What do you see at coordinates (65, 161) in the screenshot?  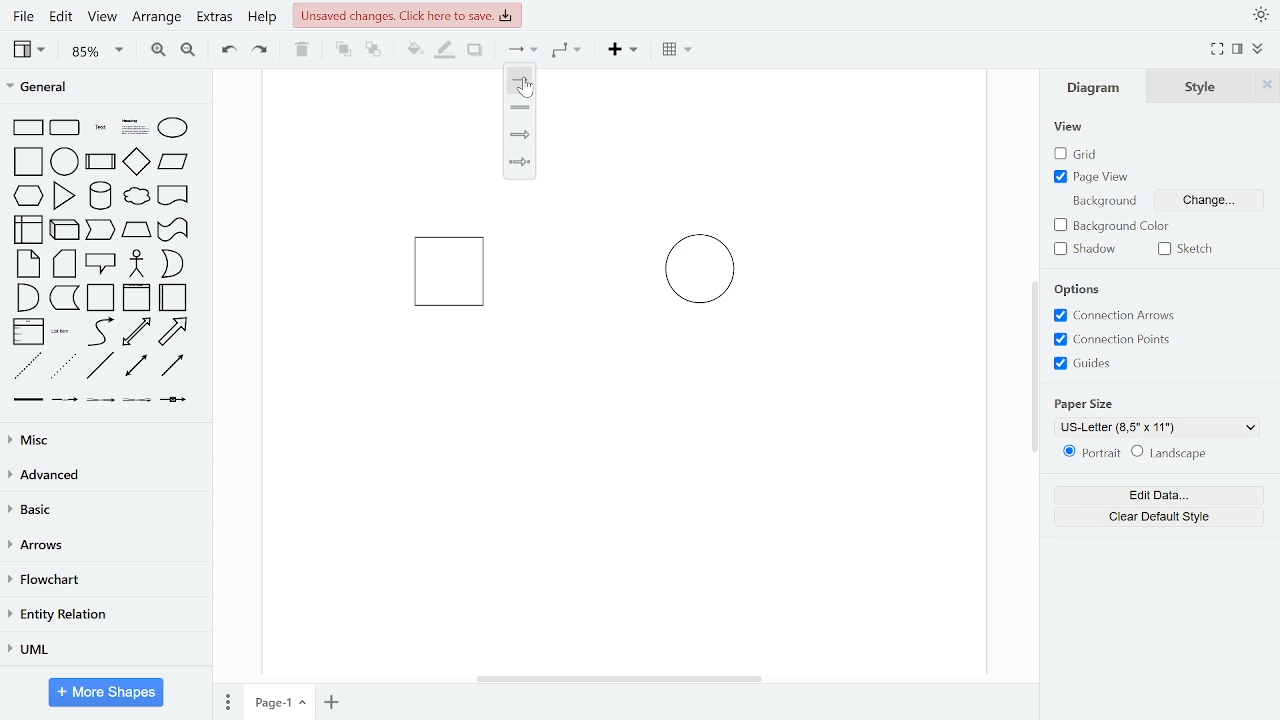 I see `circle` at bounding box center [65, 161].